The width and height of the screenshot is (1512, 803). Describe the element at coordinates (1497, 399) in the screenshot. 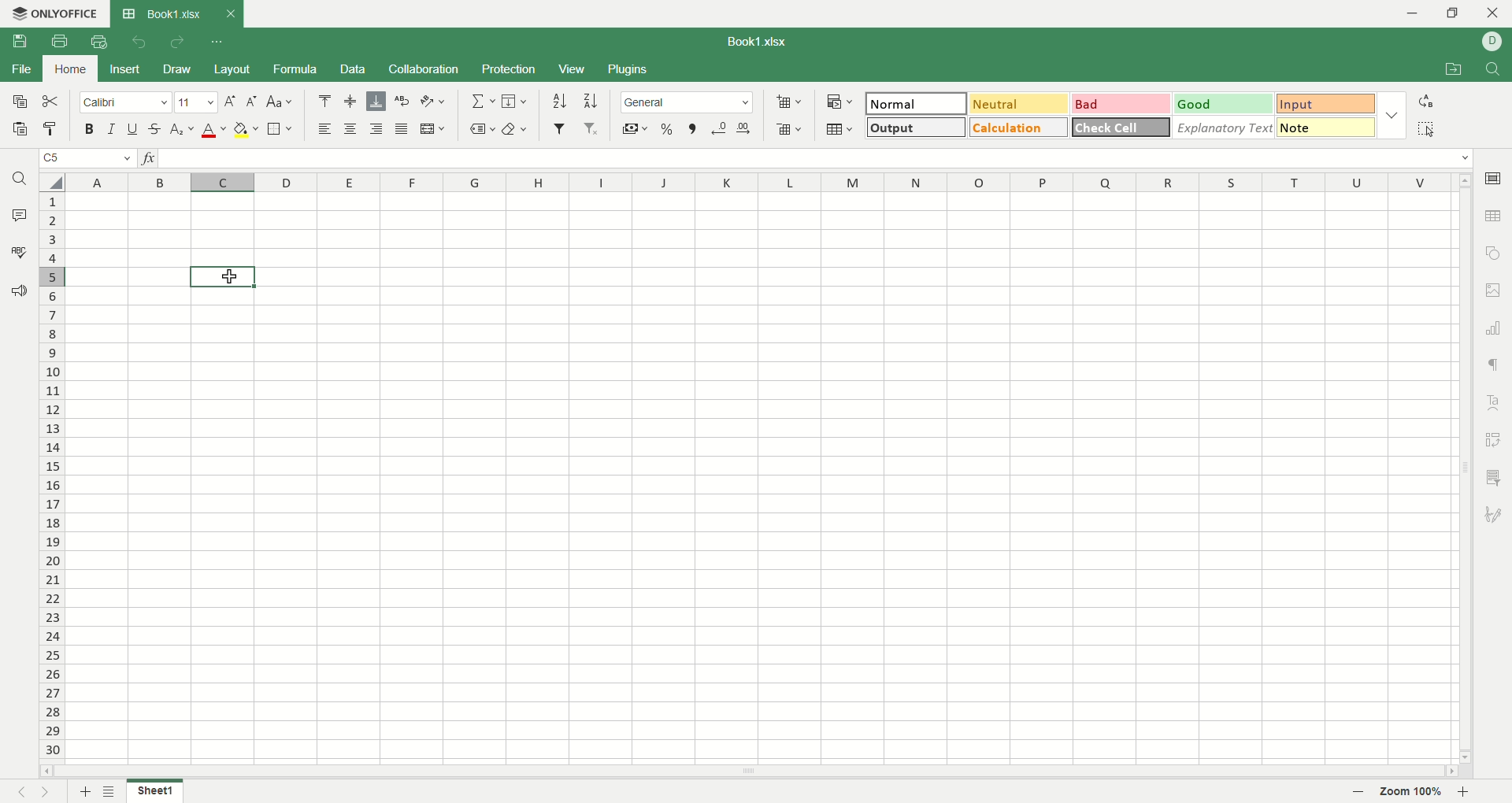

I see `text art settings` at that location.